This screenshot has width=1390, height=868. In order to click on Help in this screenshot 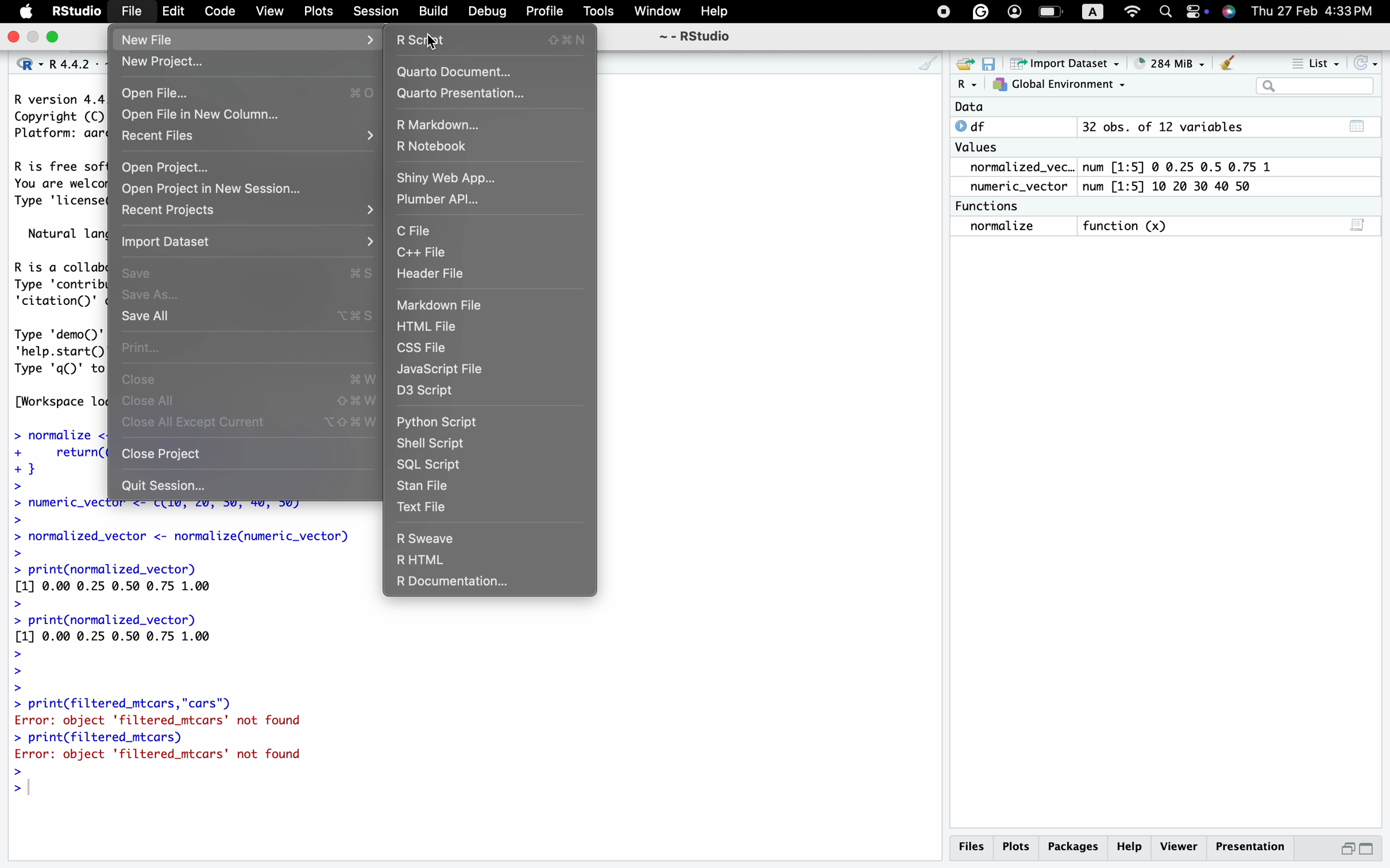, I will do `click(719, 10)`.